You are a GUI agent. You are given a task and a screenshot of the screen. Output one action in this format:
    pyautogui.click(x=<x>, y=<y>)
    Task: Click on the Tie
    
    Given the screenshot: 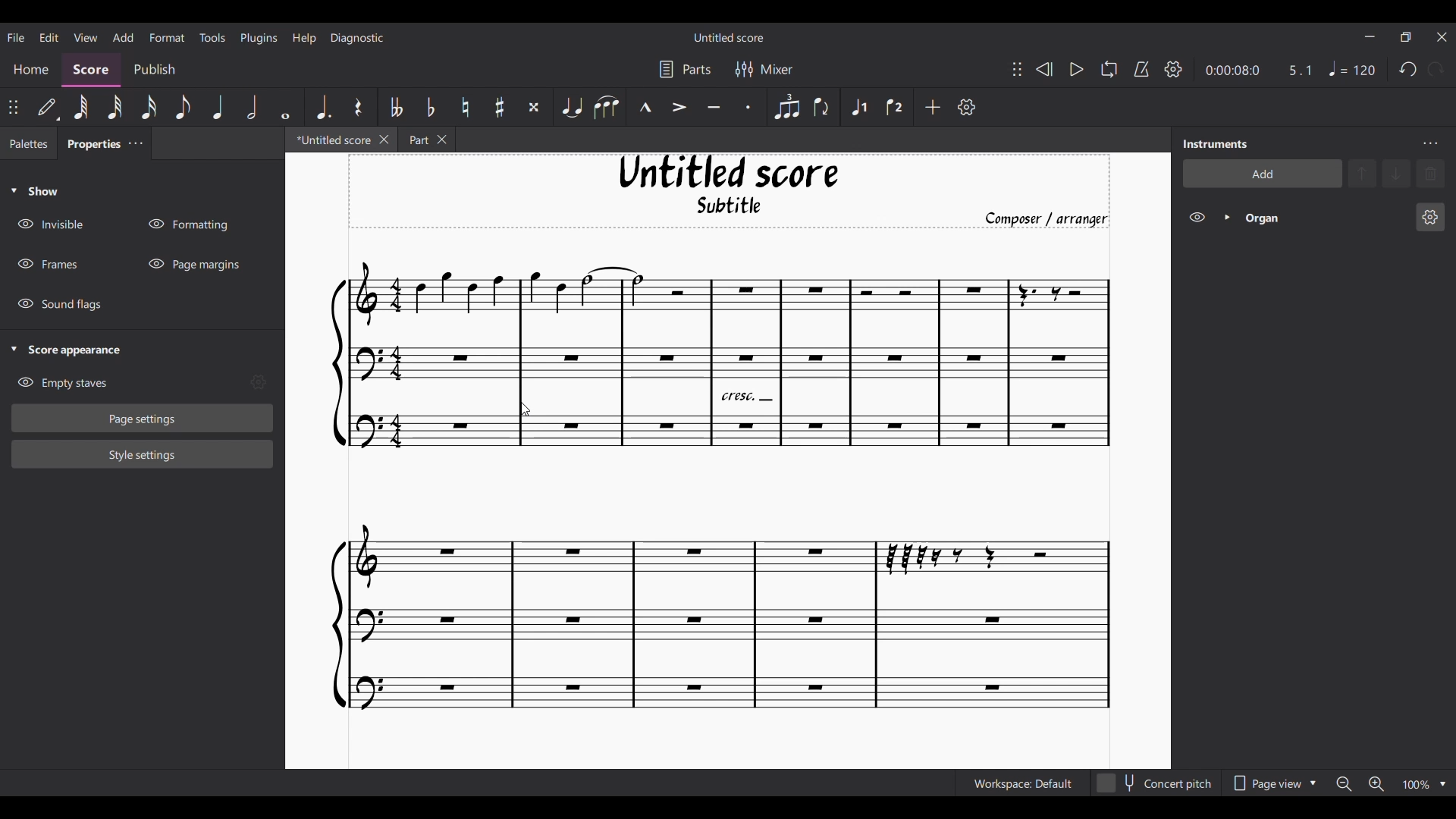 What is the action you would take?
    pyautogui.click(x=571, y=107)
    